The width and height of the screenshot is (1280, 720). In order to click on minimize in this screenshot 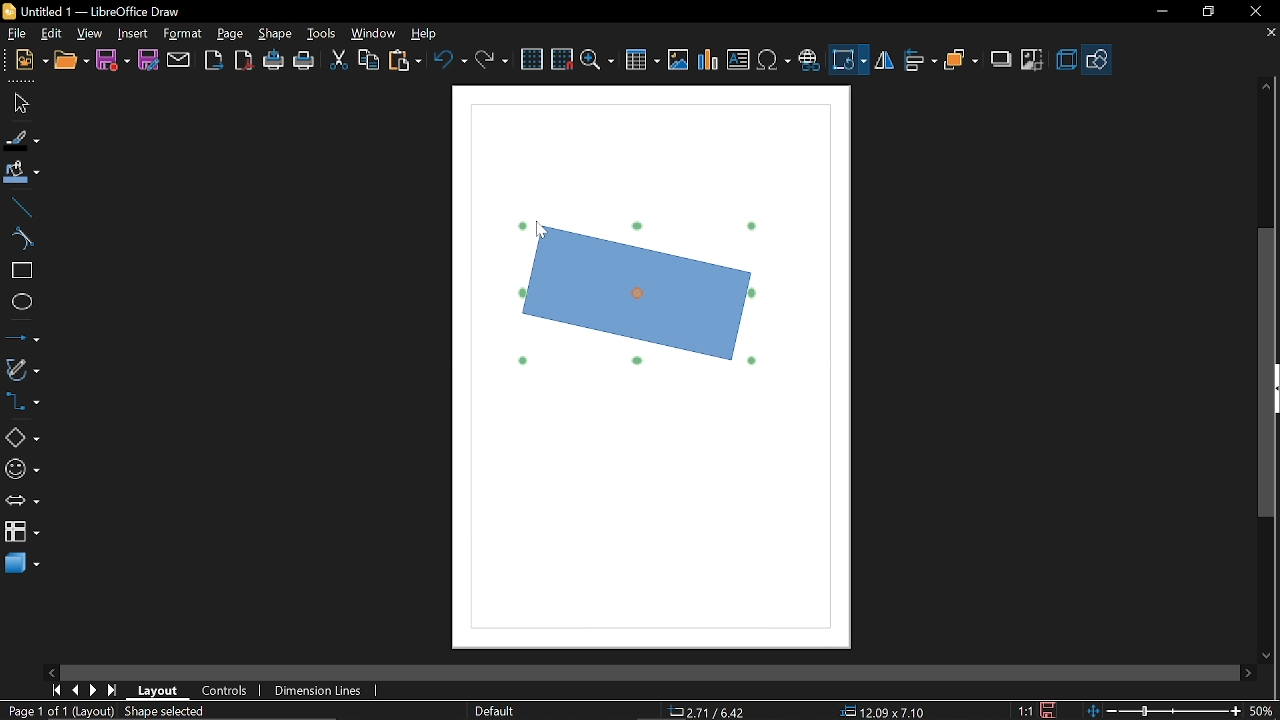, I will do `click(1161, 12)`.